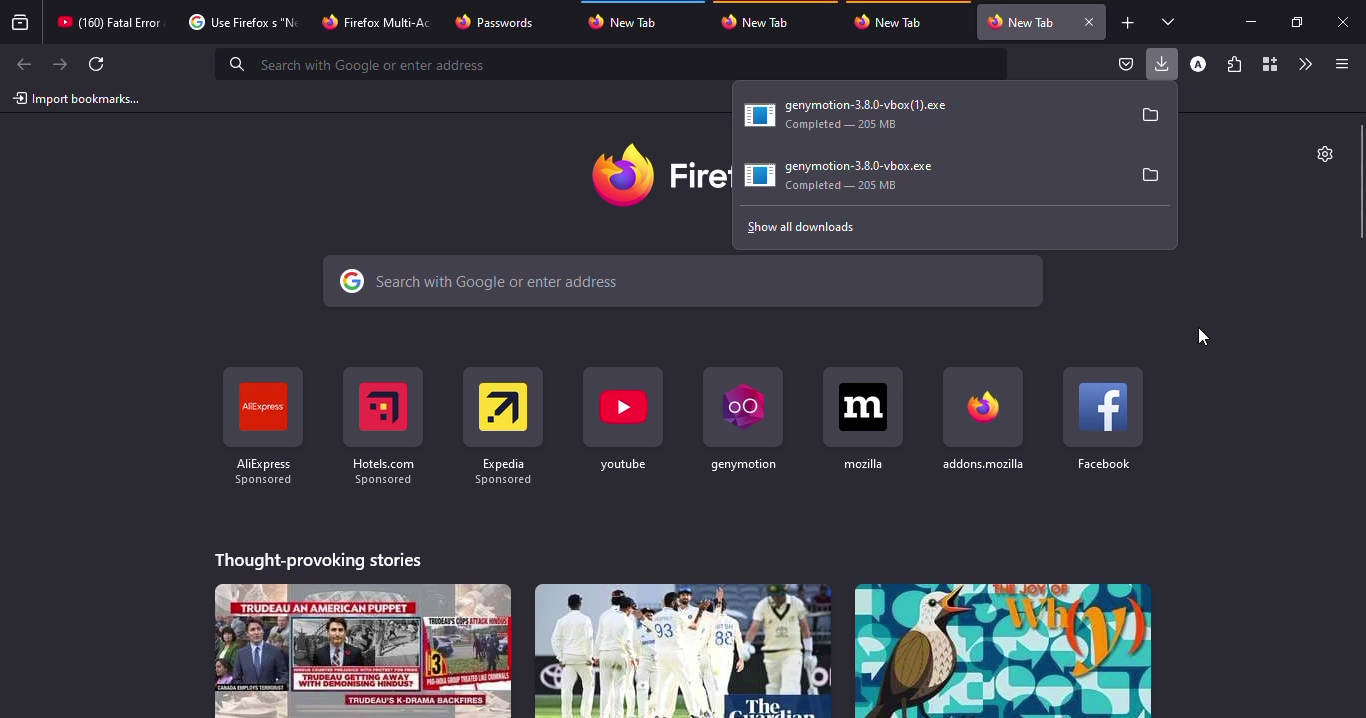 This screenshot has height=718, width=1366. I want to click on show all downloads, so click(823, 227).